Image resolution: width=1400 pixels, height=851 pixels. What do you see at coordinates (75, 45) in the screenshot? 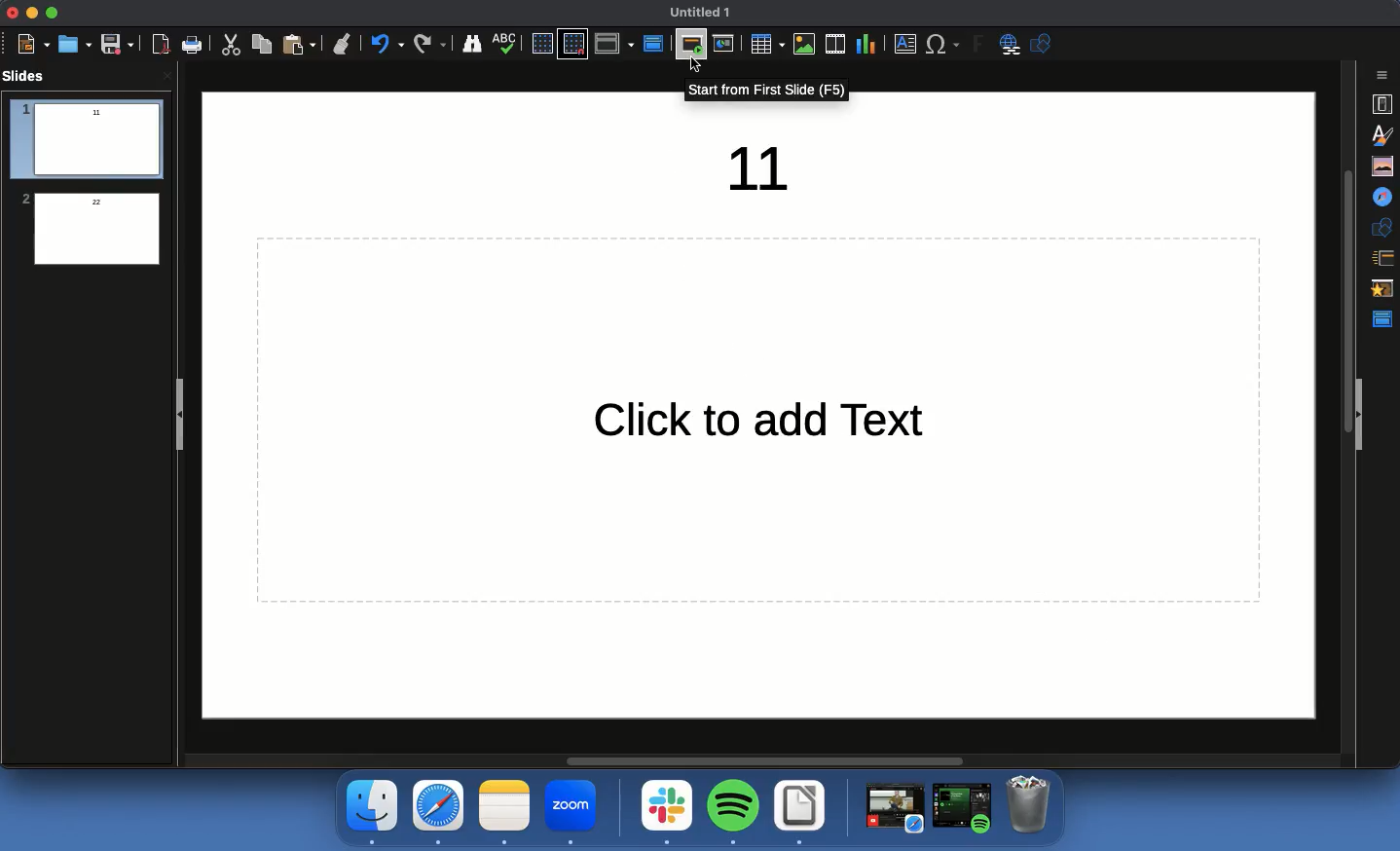
I see `Open` at bounding box center [75, 45].